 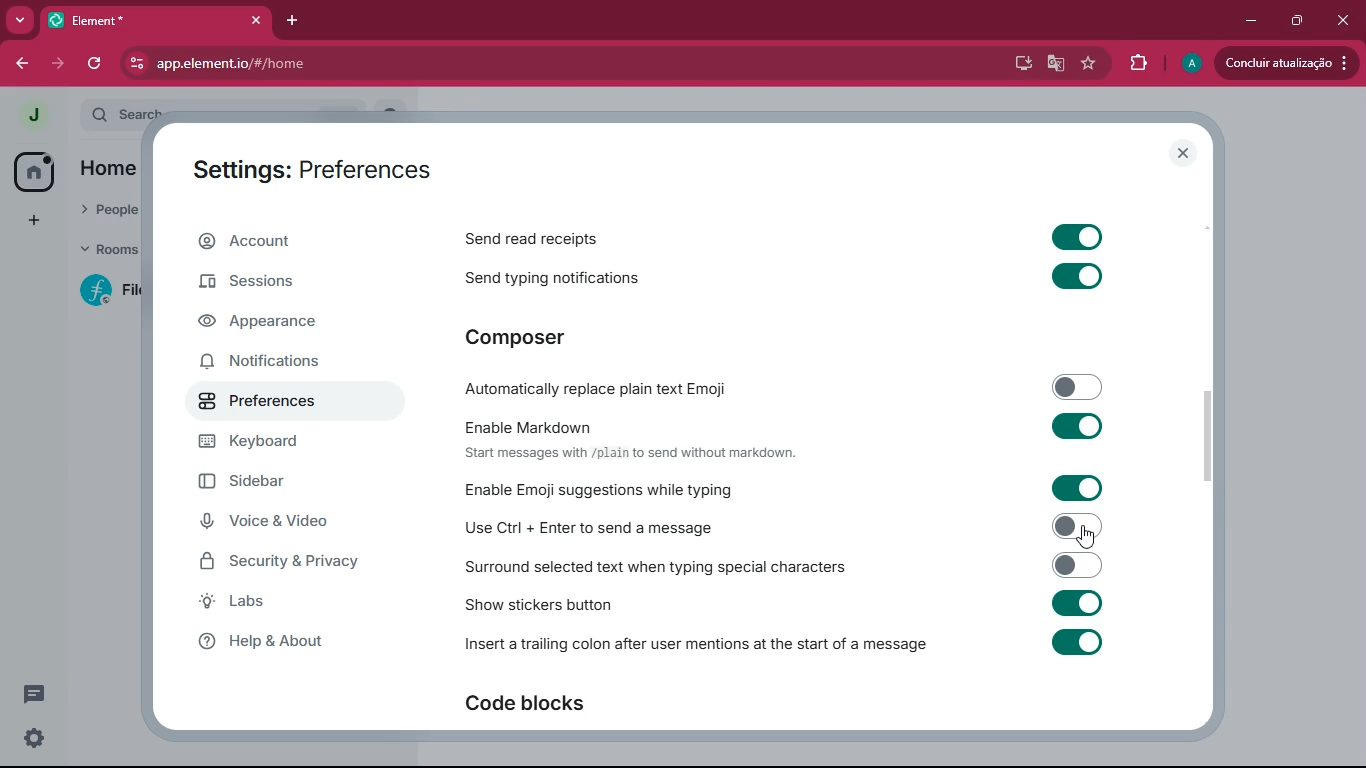 I want to click on back, so click(x=21, y=64).